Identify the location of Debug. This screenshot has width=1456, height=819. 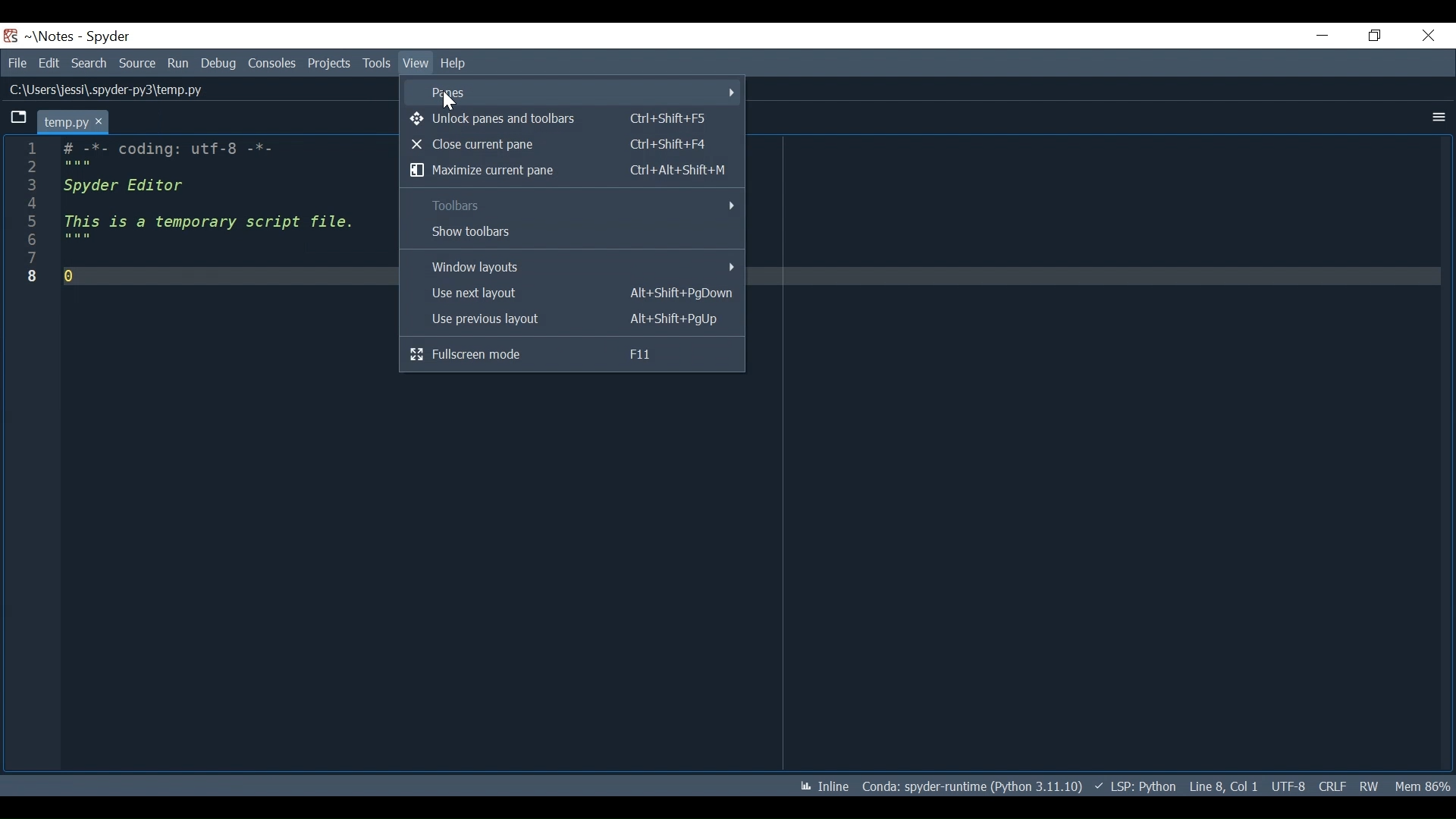
(219, 64).